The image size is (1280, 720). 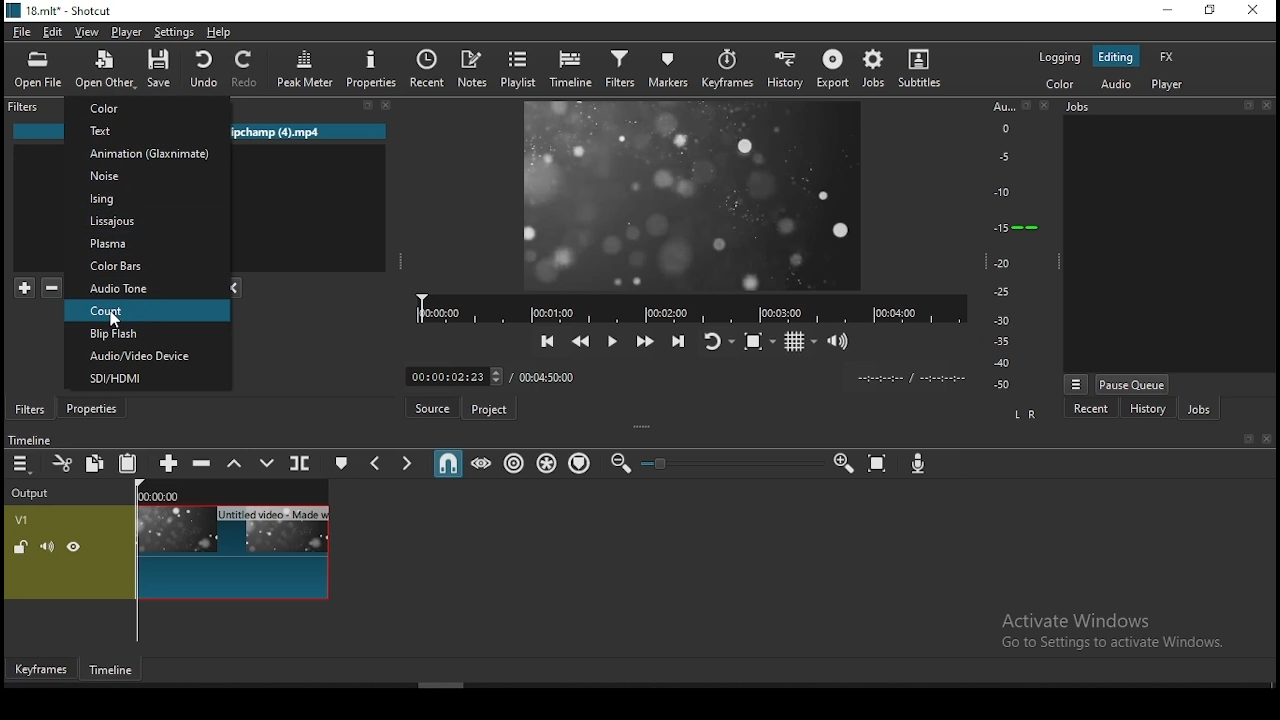 What do you see at coordinates (1075, 381) in the screenshot?
I see `view menu` at bounding box center [1075, 381].